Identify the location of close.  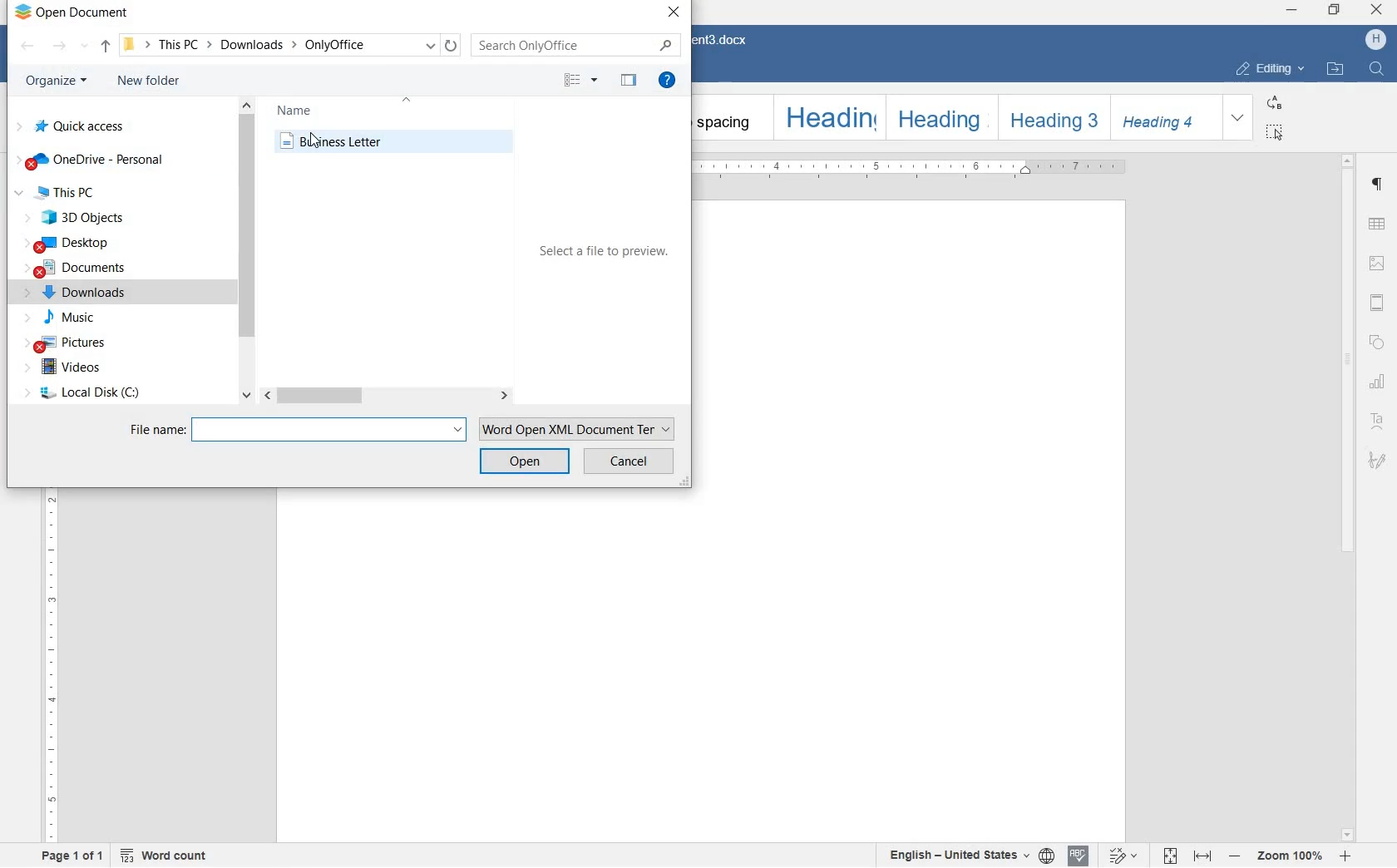
(1375, 9).